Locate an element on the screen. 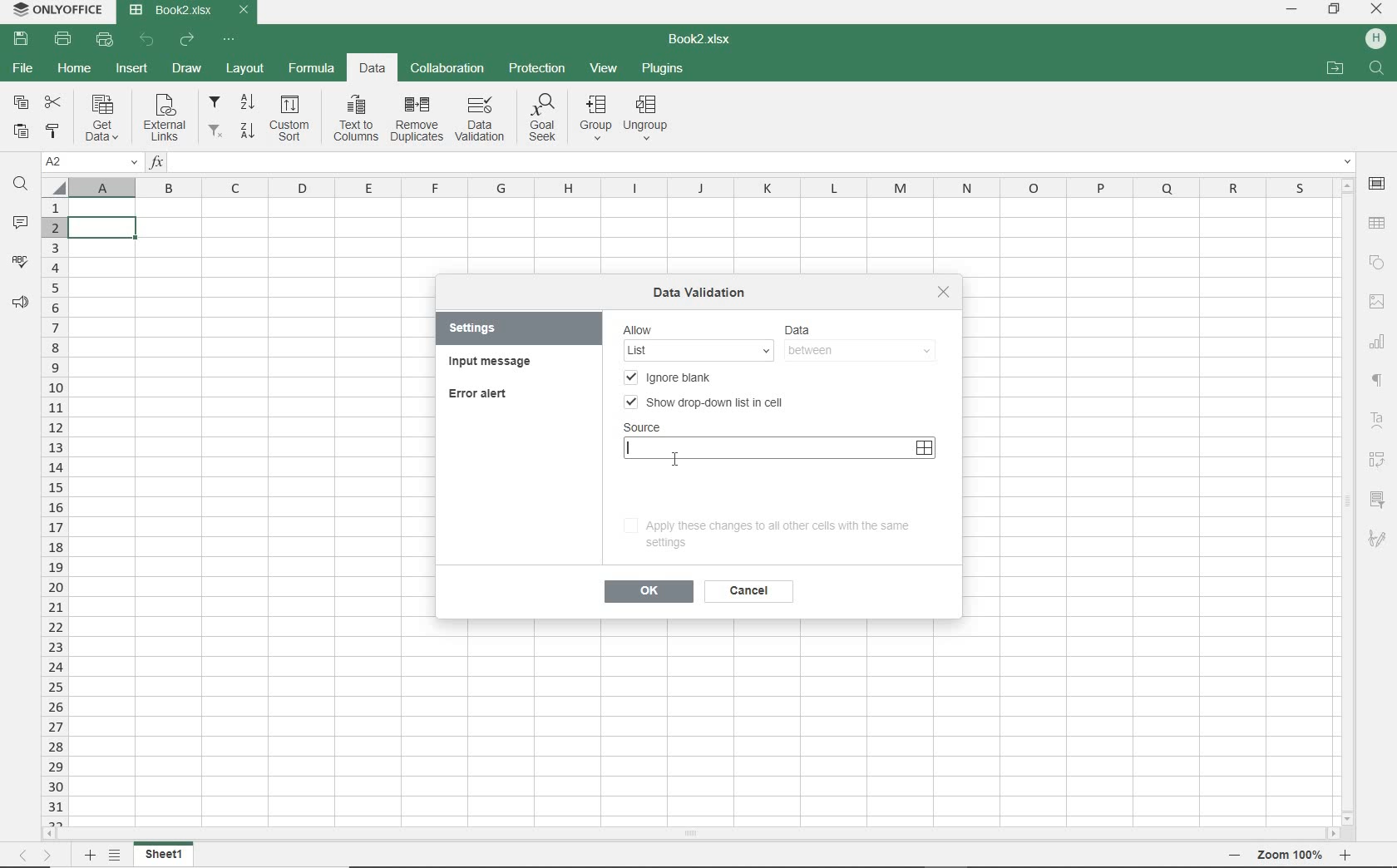 The image size is (1397, 868). get data is located at coordinates (106, 117).